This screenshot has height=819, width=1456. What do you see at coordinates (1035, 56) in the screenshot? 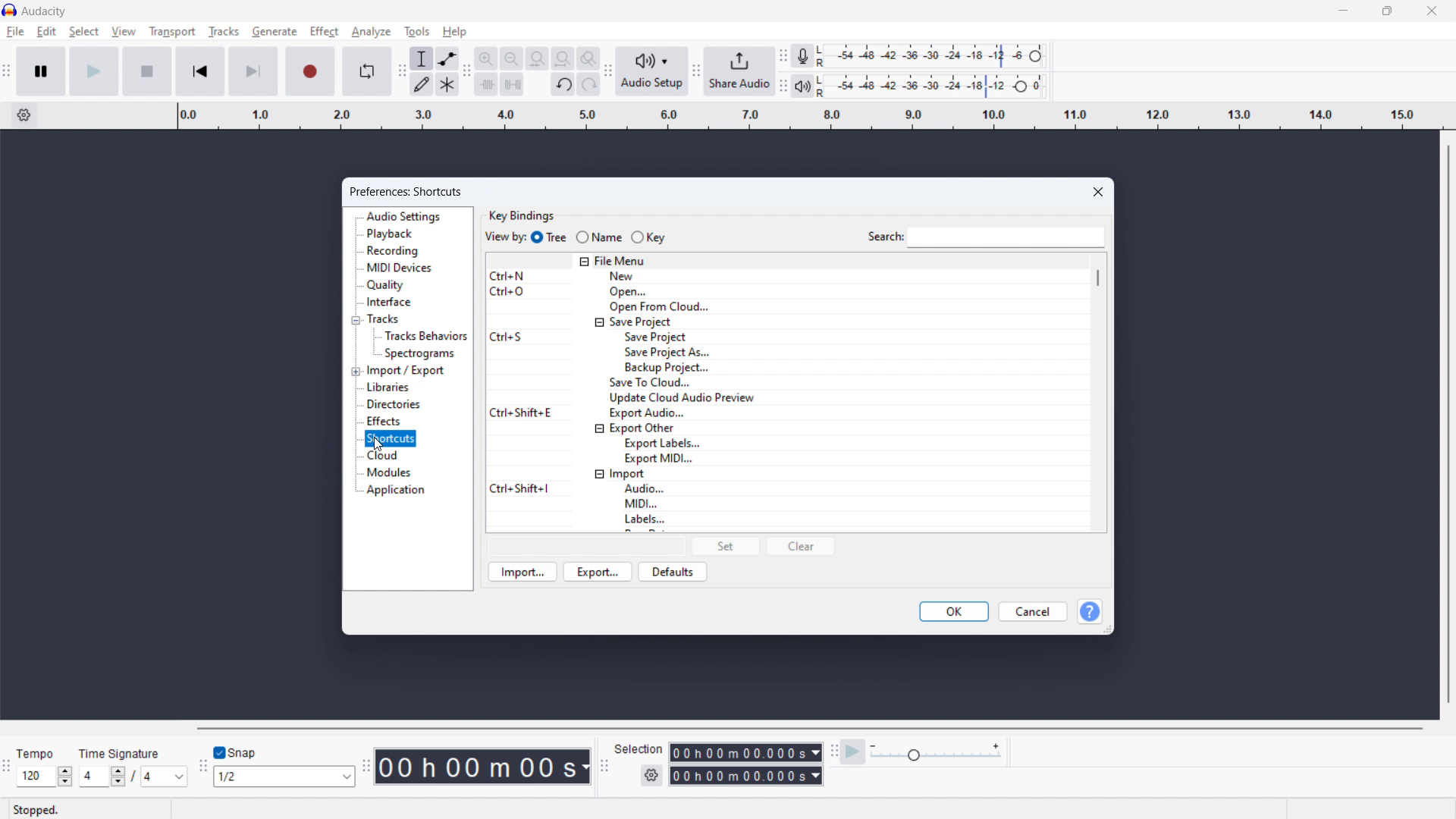
I see `Heade to change recording level` at bounding box center [1035, 56].